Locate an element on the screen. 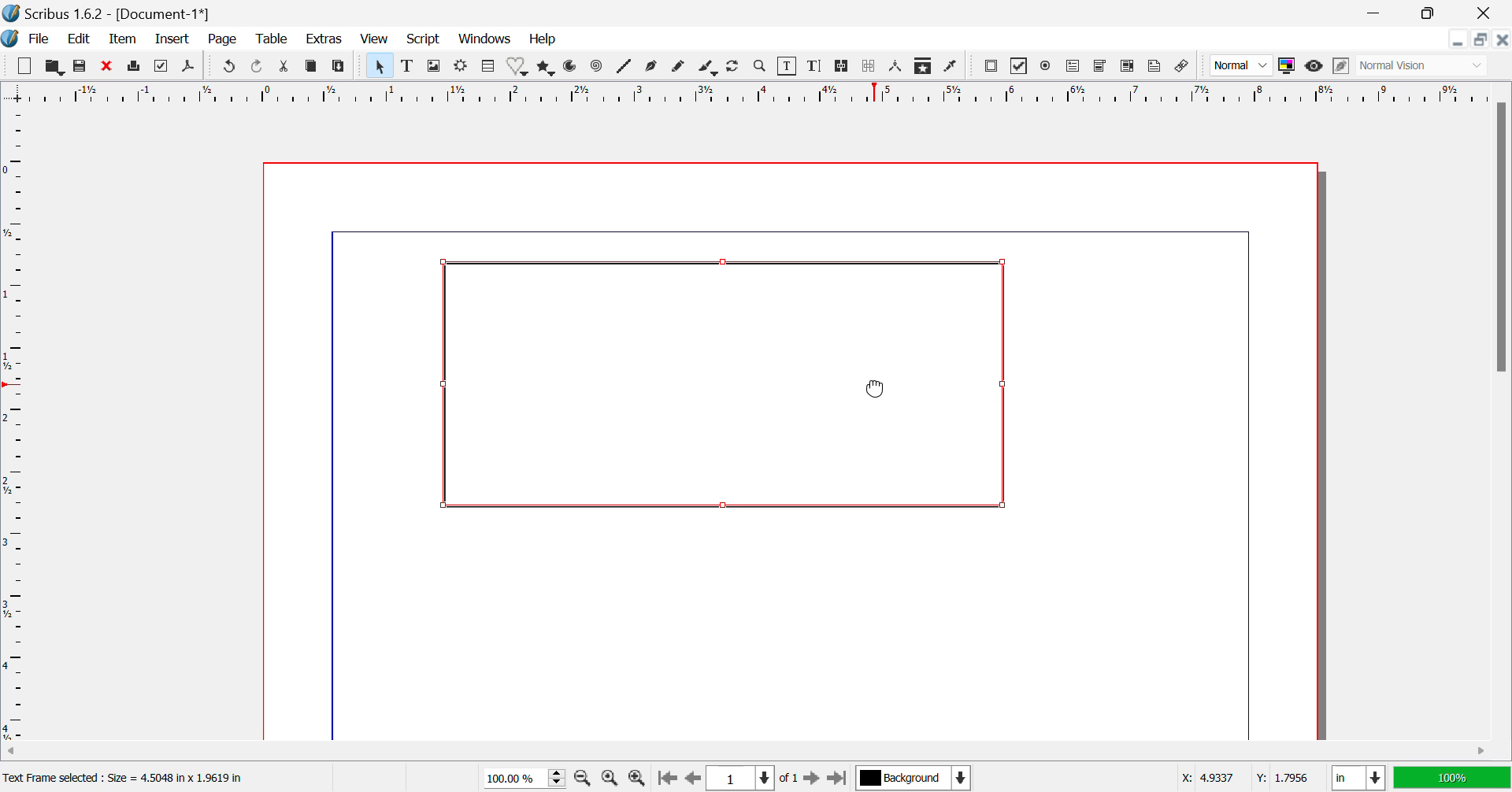 This screenshot has width=1512, height=792. Textbox is located at coordinates (732, 386).